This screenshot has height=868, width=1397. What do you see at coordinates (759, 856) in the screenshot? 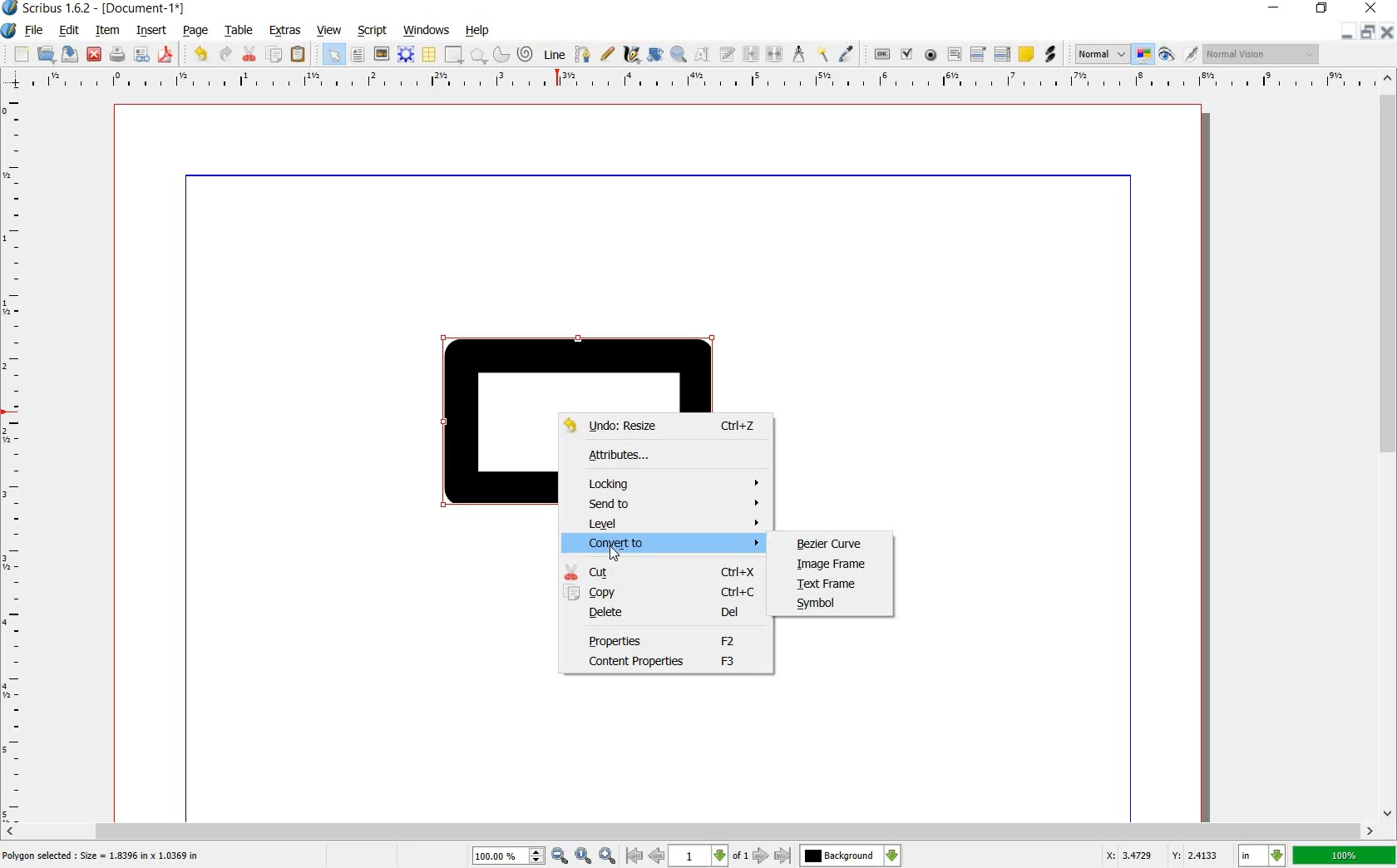
I see `next page` at bounding box center [759, 856].